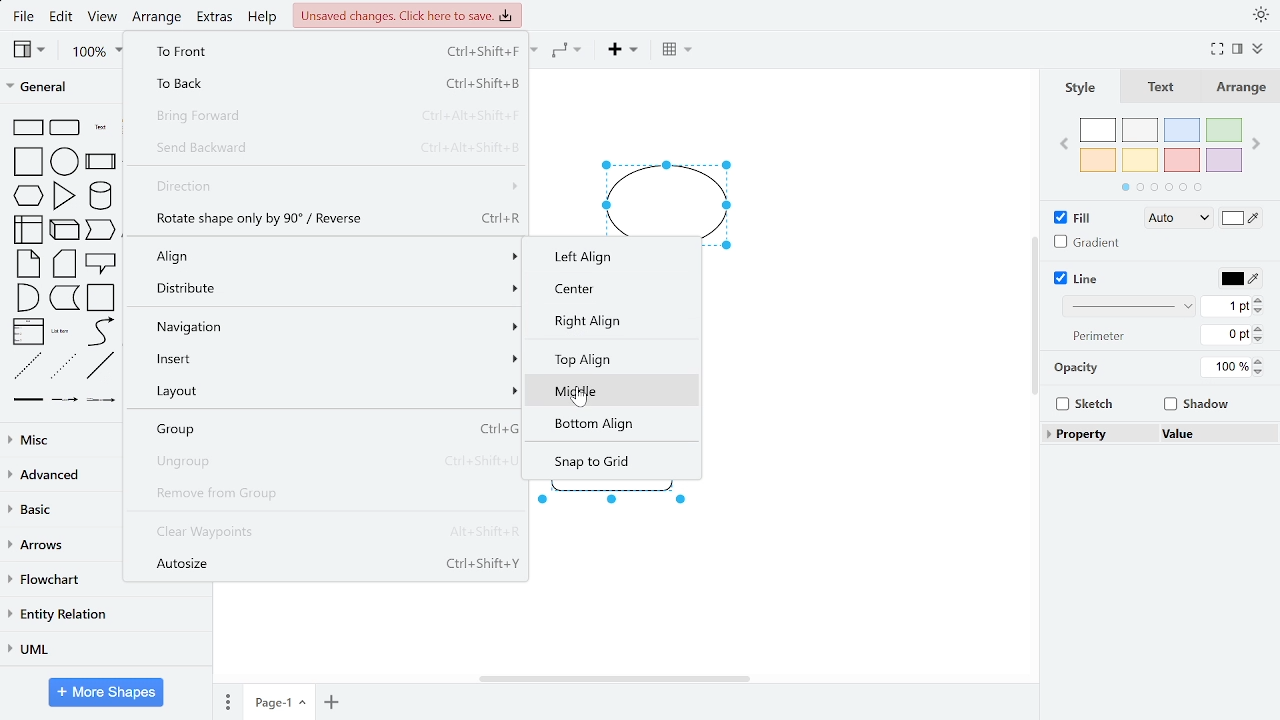 The height and width of the screenshot is (720, 1280). I want to click on send backward, so click(328, 149).